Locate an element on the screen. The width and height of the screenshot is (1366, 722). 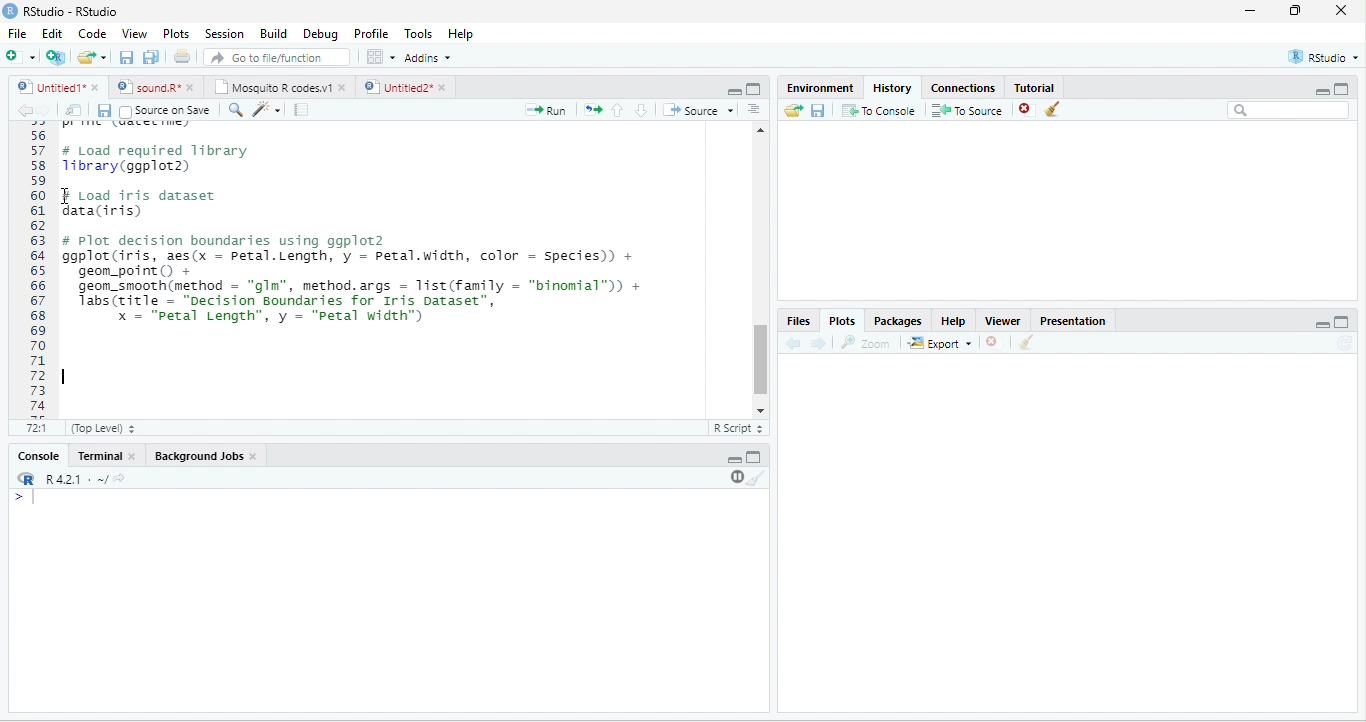
cursor is located at coordinates (68, 196).